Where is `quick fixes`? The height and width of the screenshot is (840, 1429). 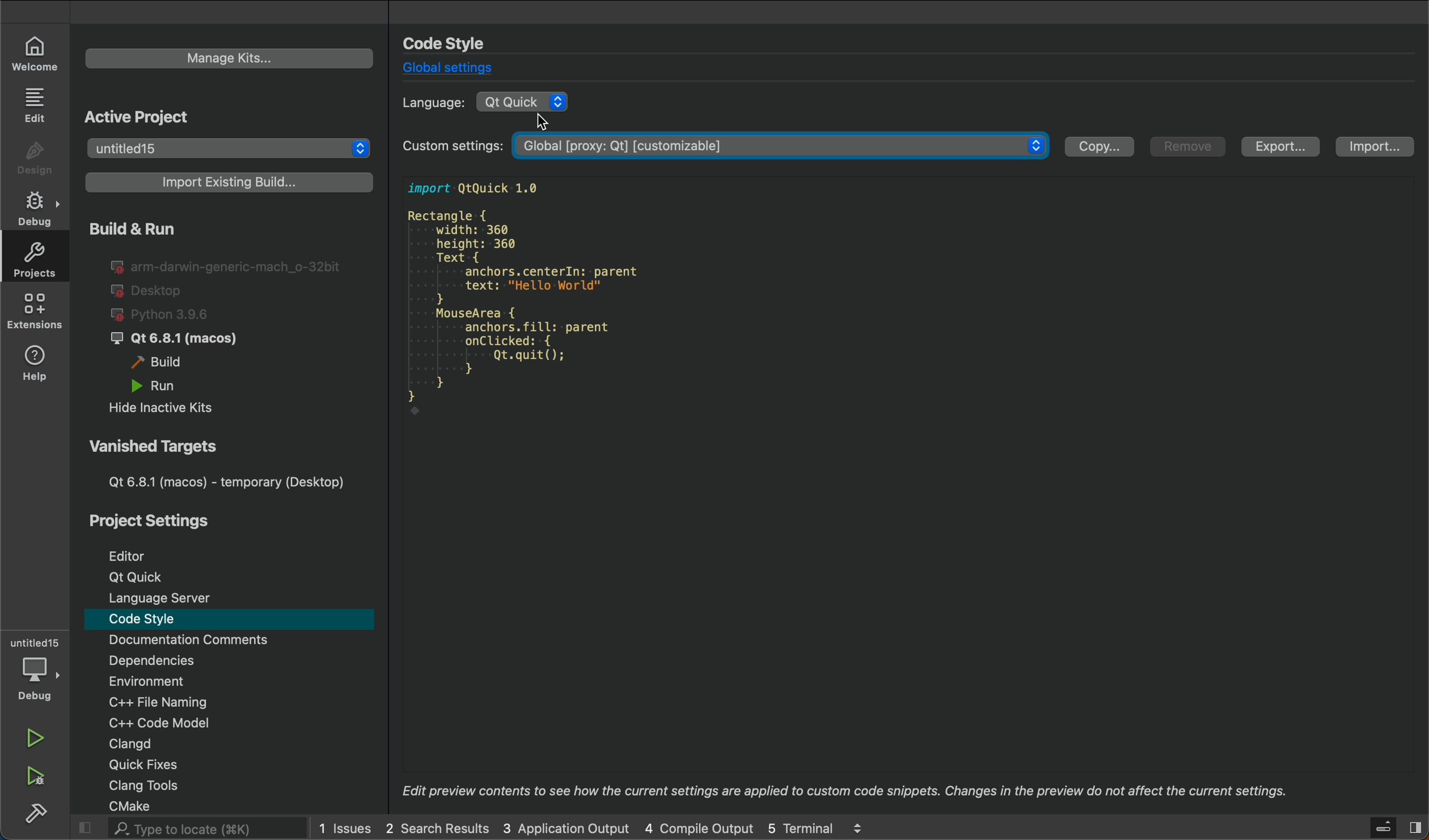 quick fixes is located at coordinates (158, 765).